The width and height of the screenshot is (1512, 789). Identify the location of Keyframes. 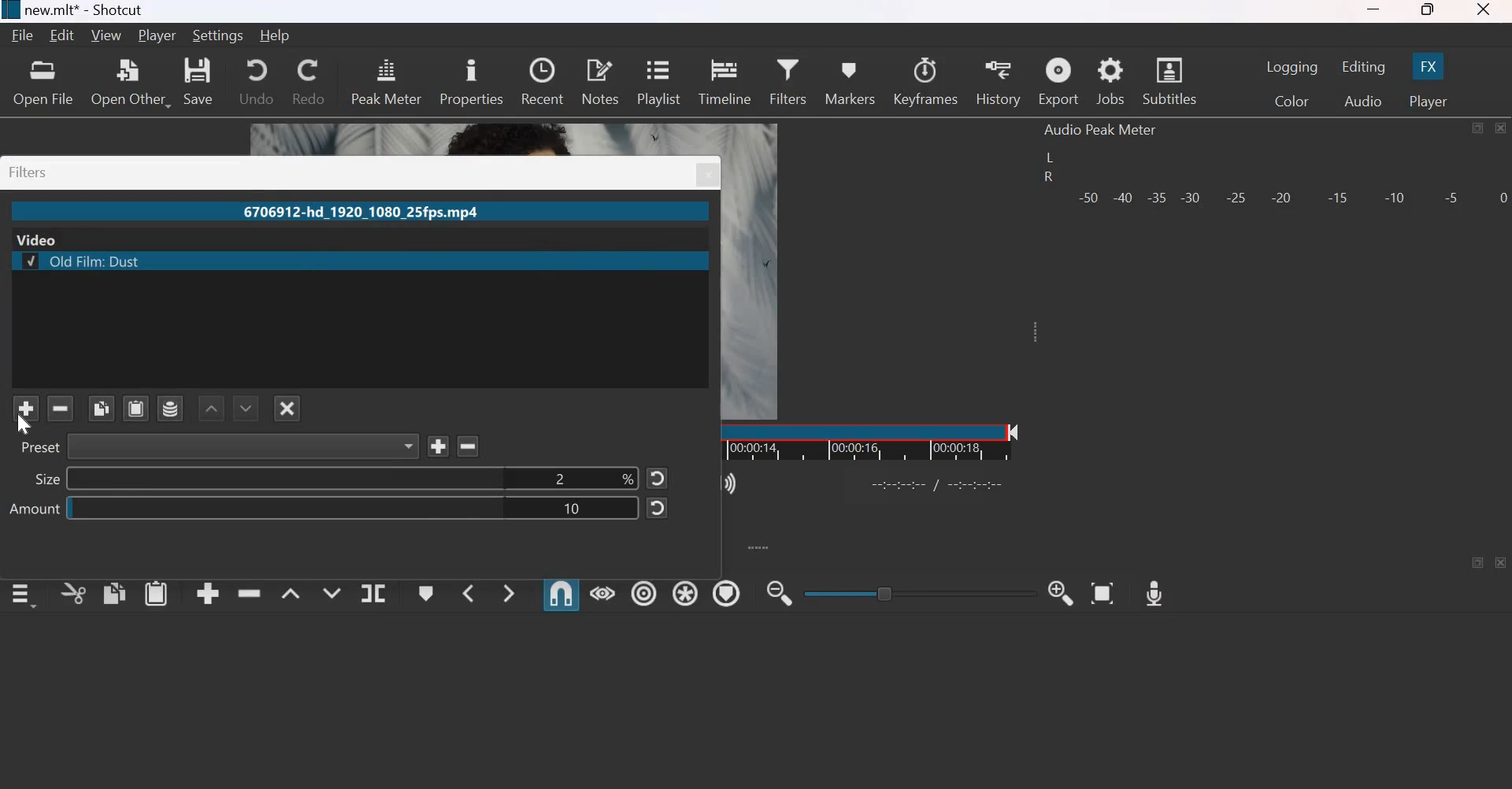
(927, 81).